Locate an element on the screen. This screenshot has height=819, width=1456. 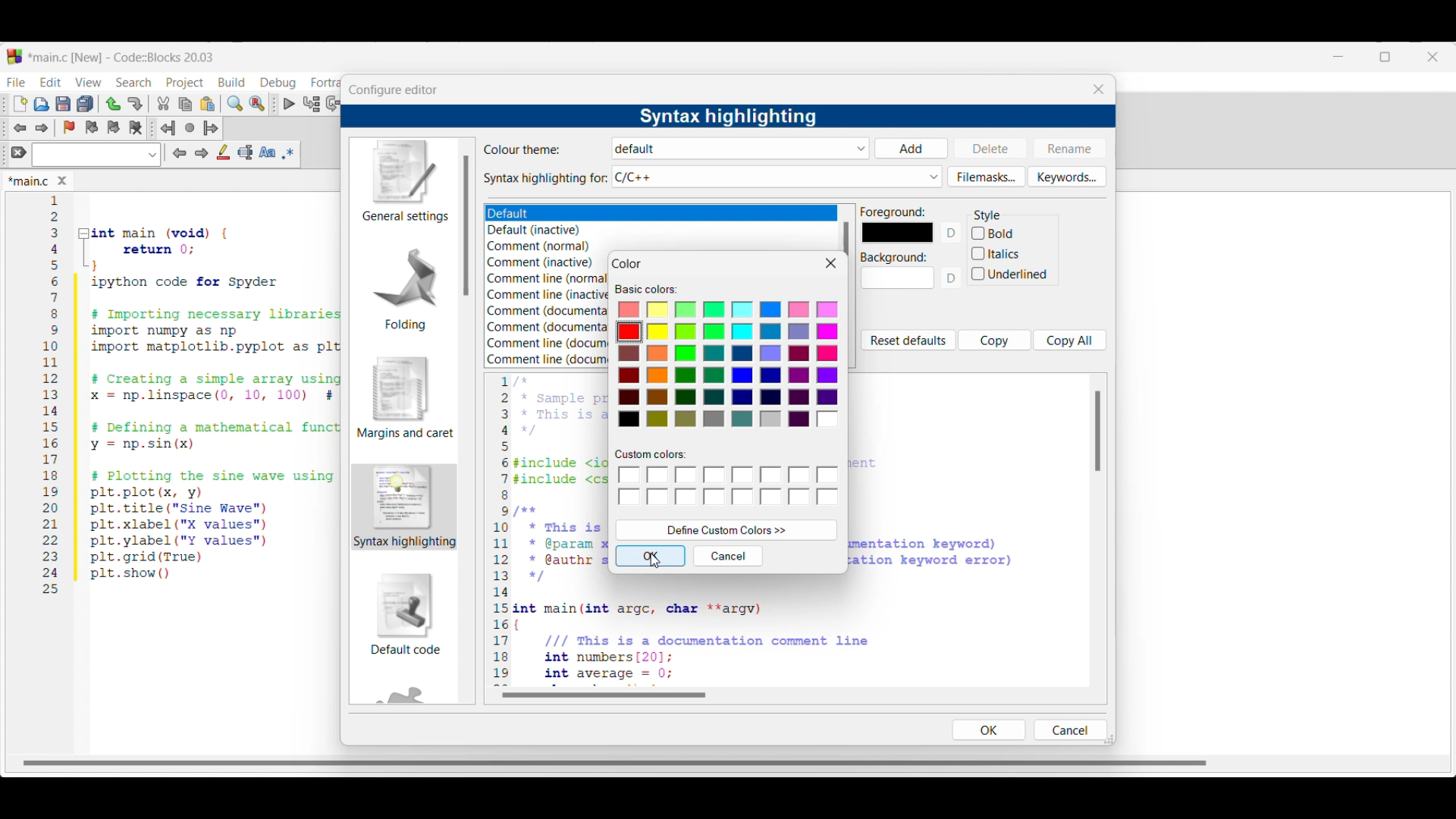
Cancel is located at coordinates (729, 556).